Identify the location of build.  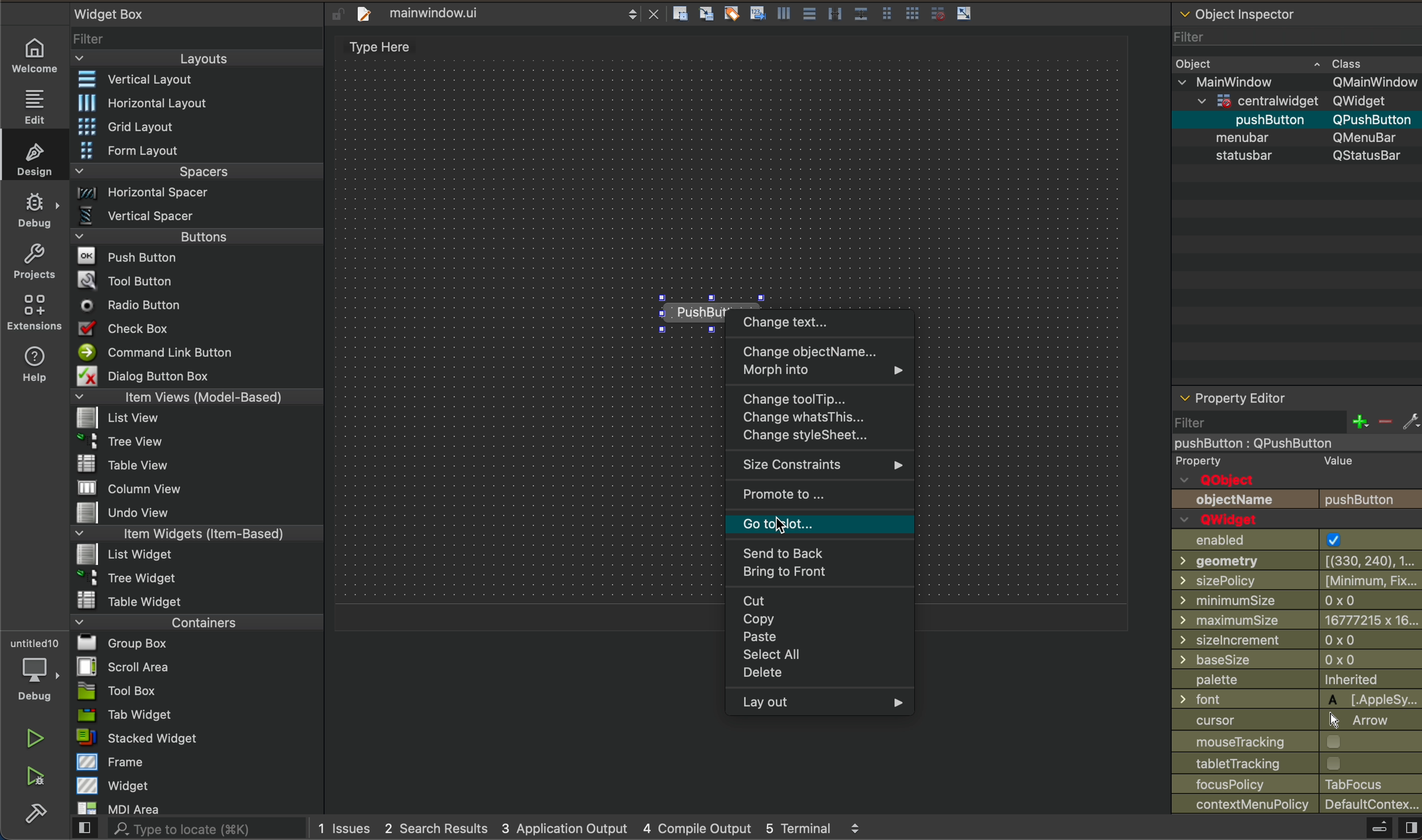
(31, 819).